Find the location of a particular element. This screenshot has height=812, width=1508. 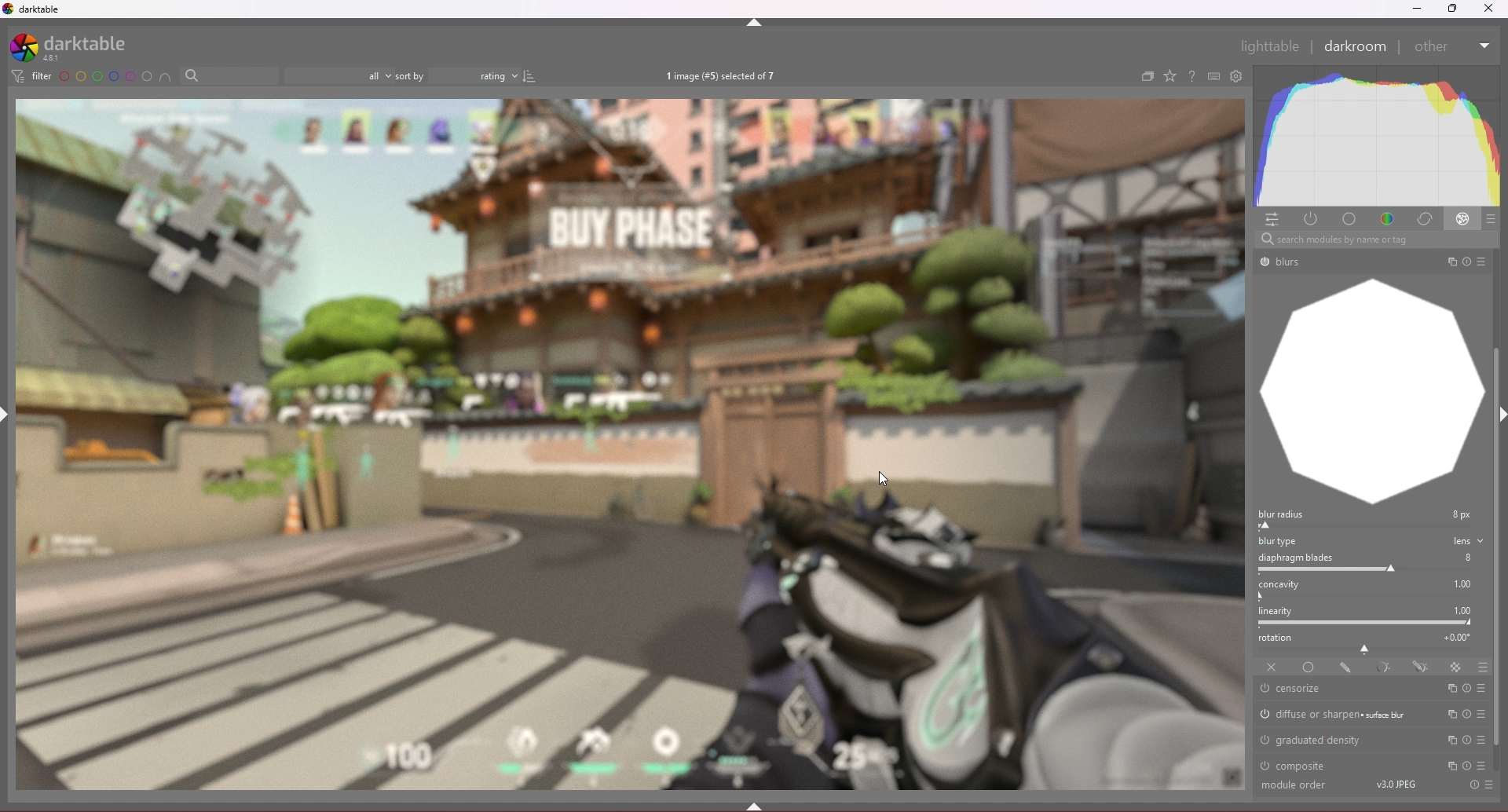

 is located at coordinates (1489, 9).